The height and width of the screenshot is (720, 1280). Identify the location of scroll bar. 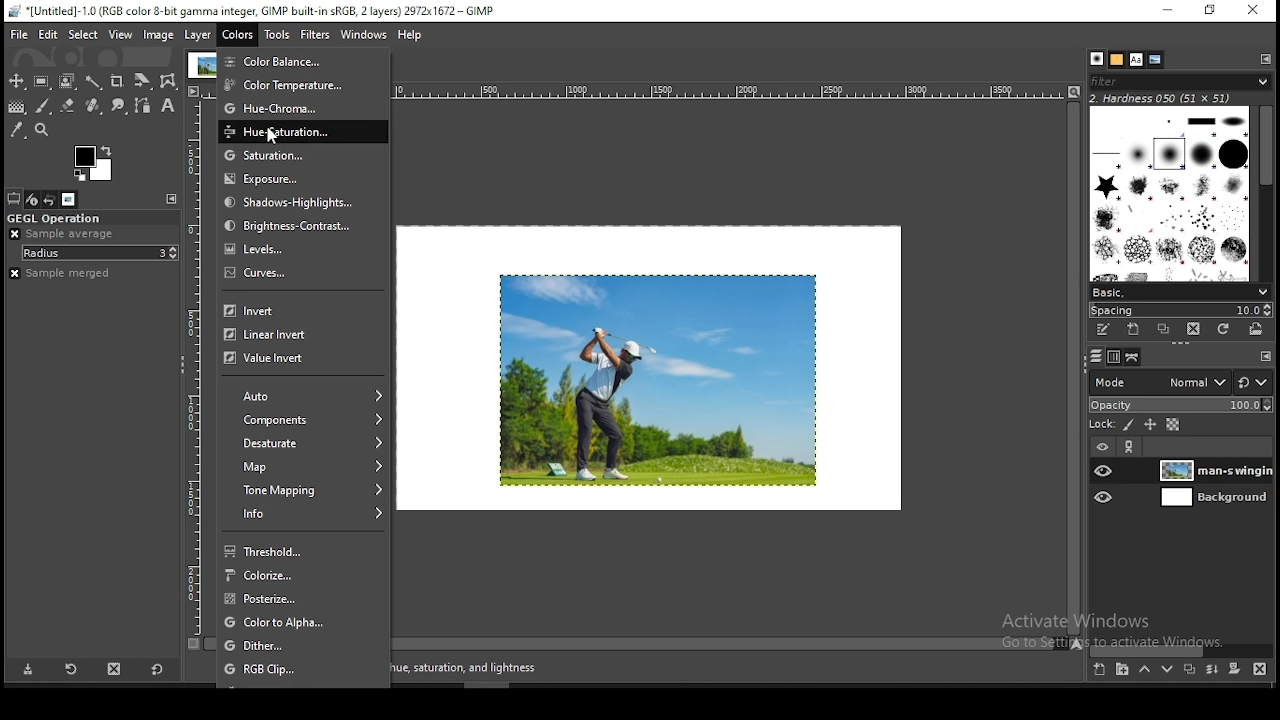
(1188, 651).